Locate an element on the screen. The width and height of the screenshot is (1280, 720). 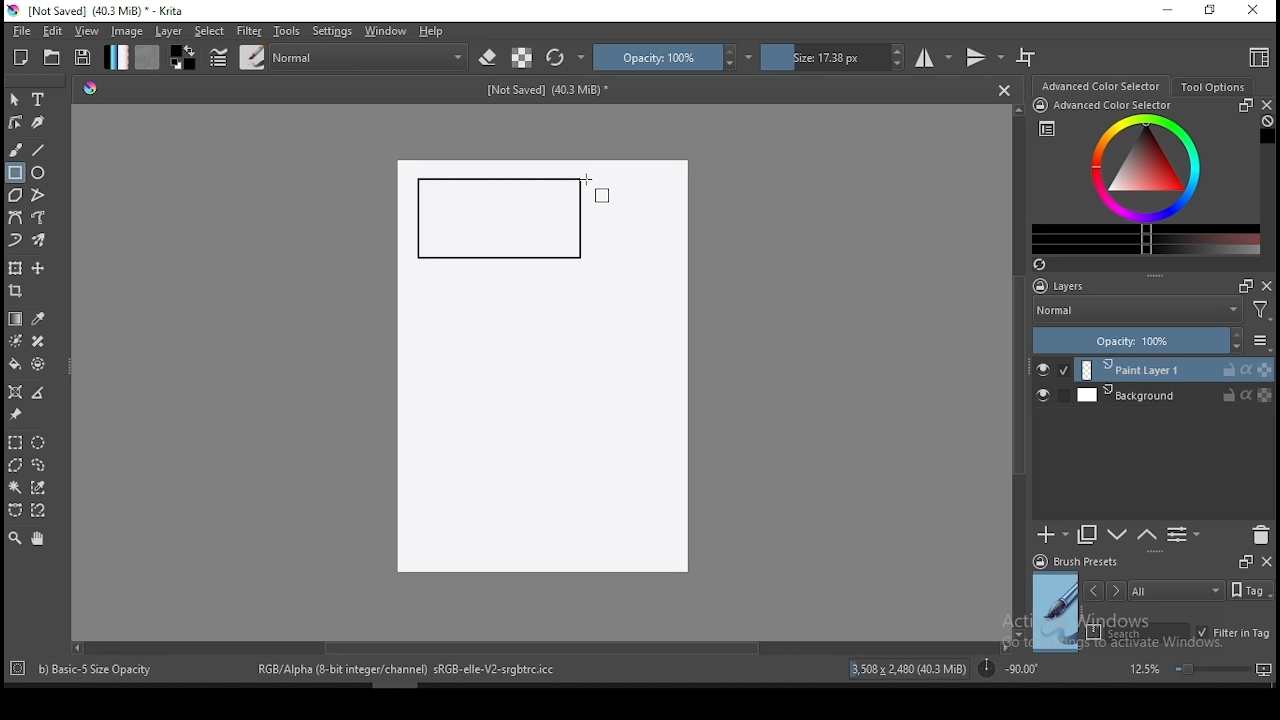
mouse pointer is located at coordinates (600, 188).